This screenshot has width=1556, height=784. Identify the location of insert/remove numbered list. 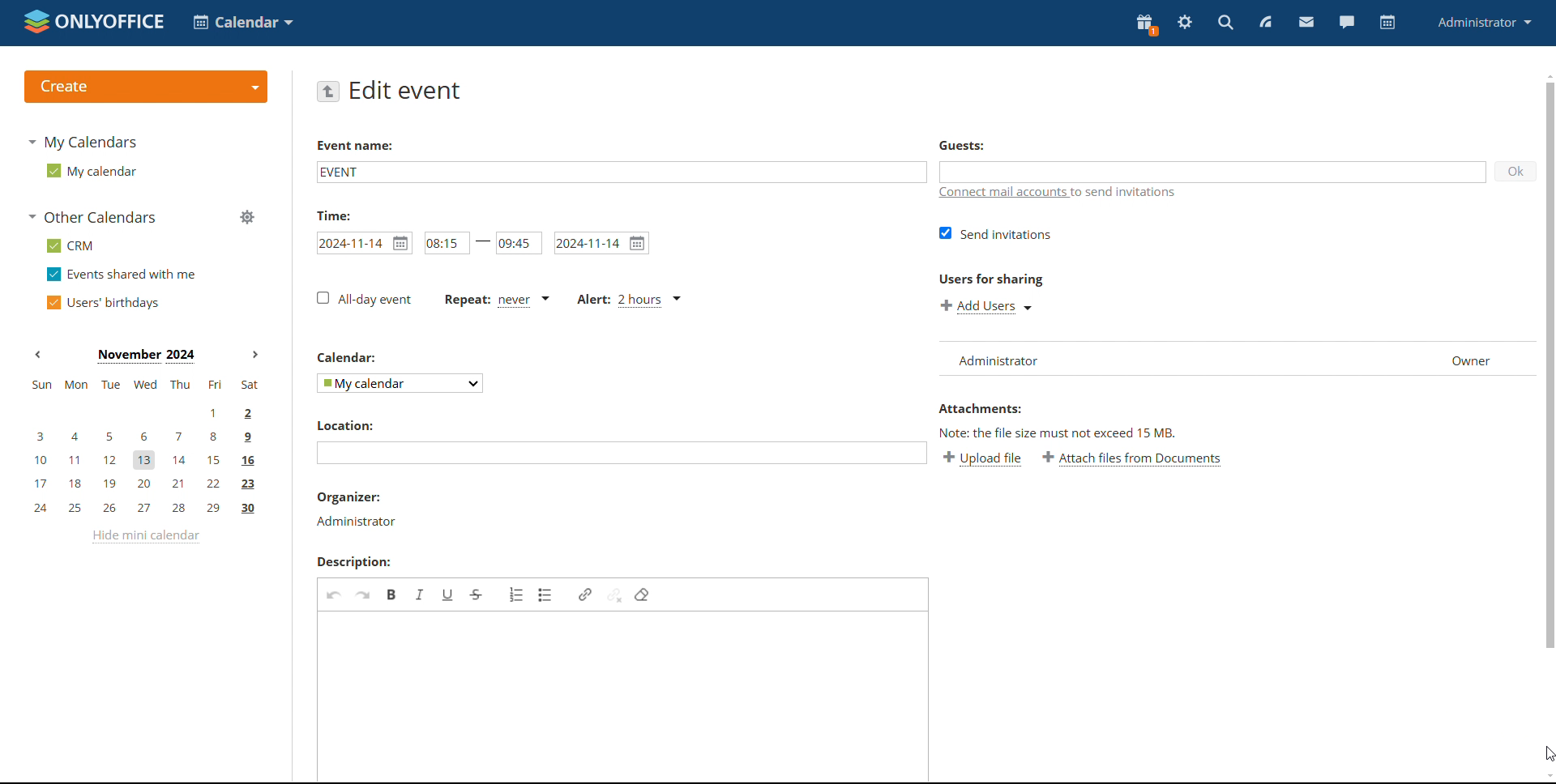
(517, 594).